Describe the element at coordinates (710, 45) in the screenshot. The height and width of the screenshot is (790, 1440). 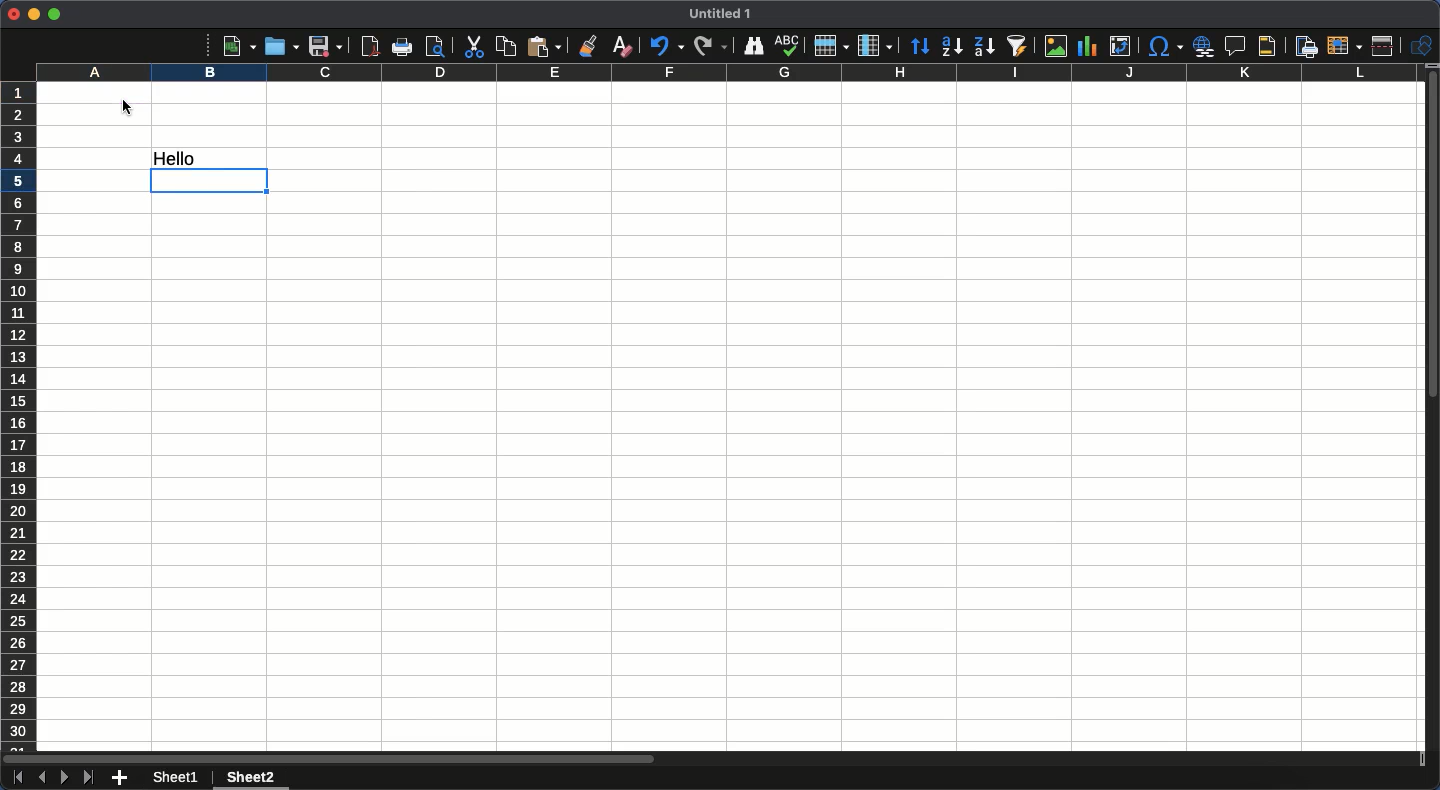
I see `Redo` at that location.